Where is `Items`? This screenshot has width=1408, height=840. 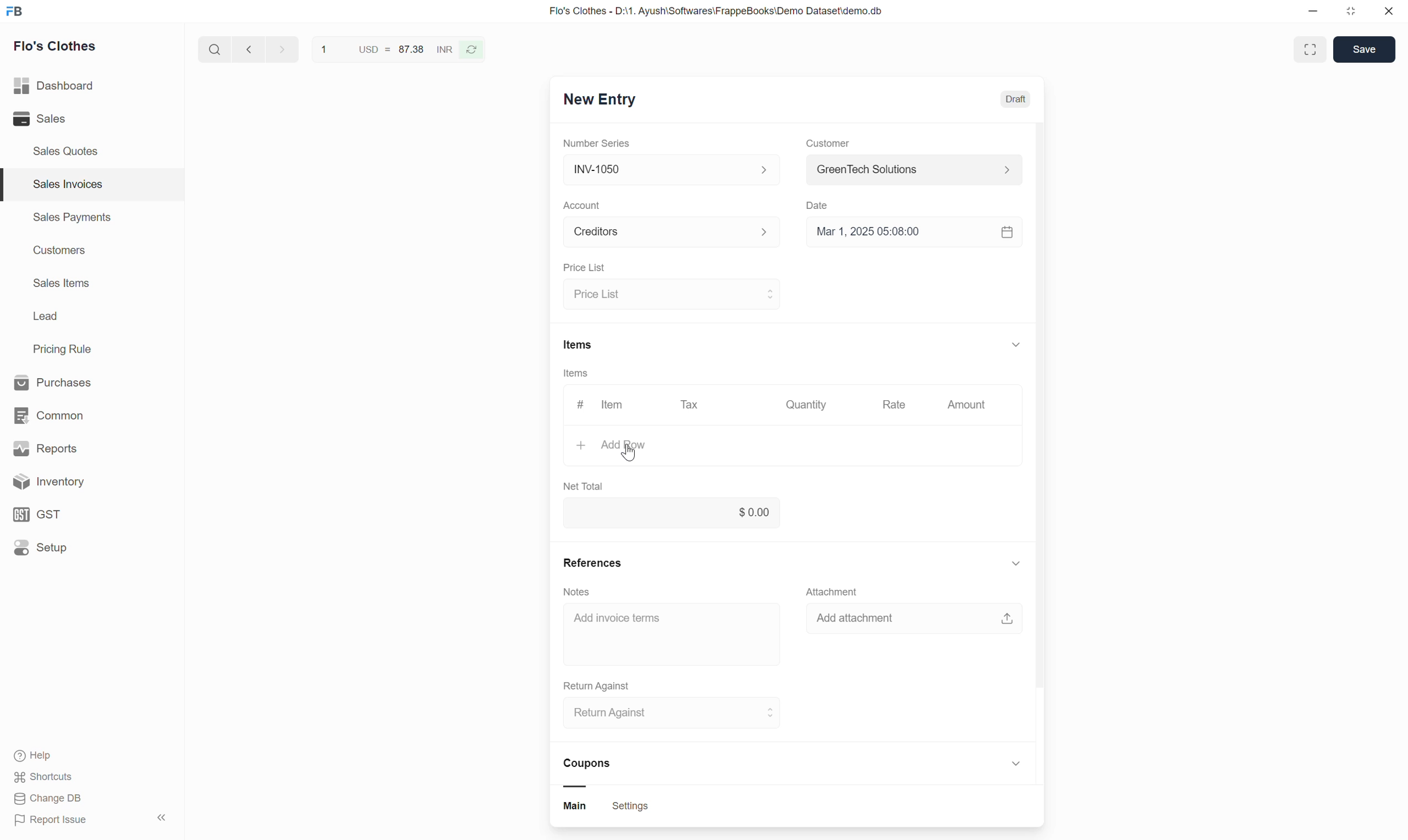
Items is located at coordinates (576, 375).